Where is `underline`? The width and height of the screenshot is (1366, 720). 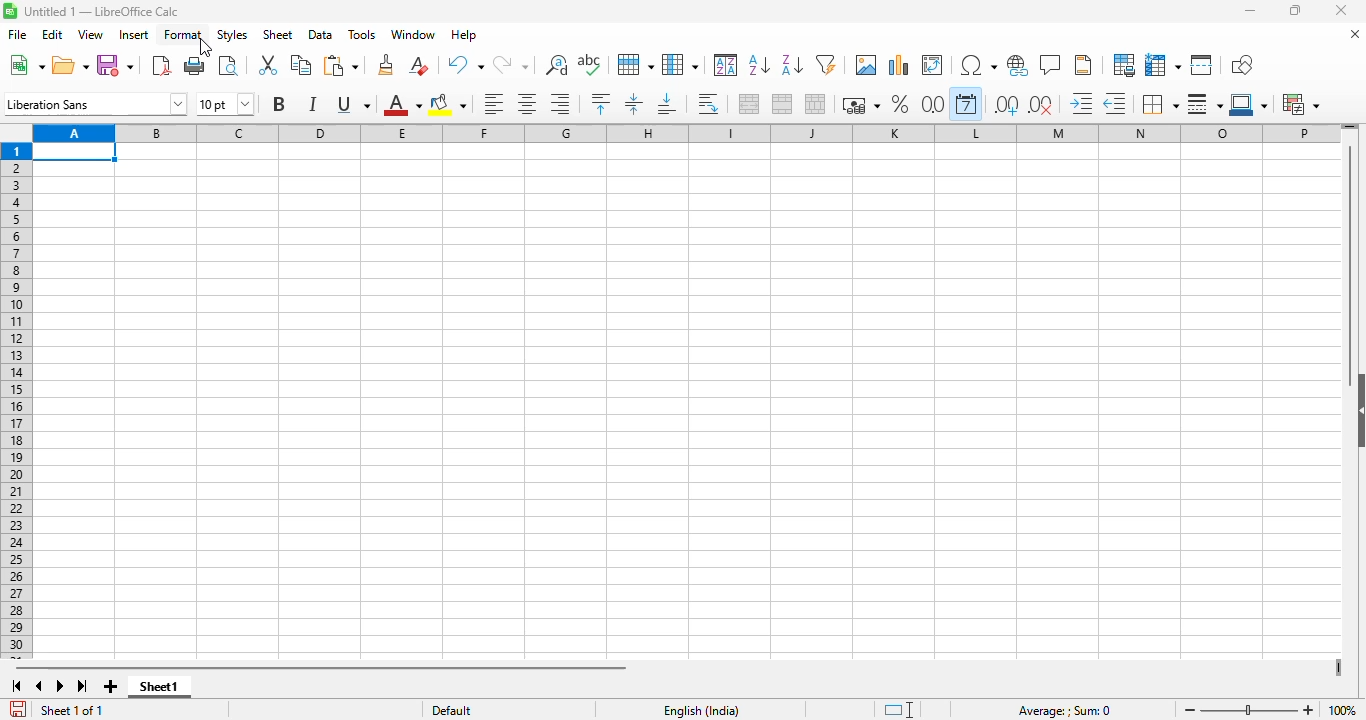
underline is located at coordinates (353, 105).